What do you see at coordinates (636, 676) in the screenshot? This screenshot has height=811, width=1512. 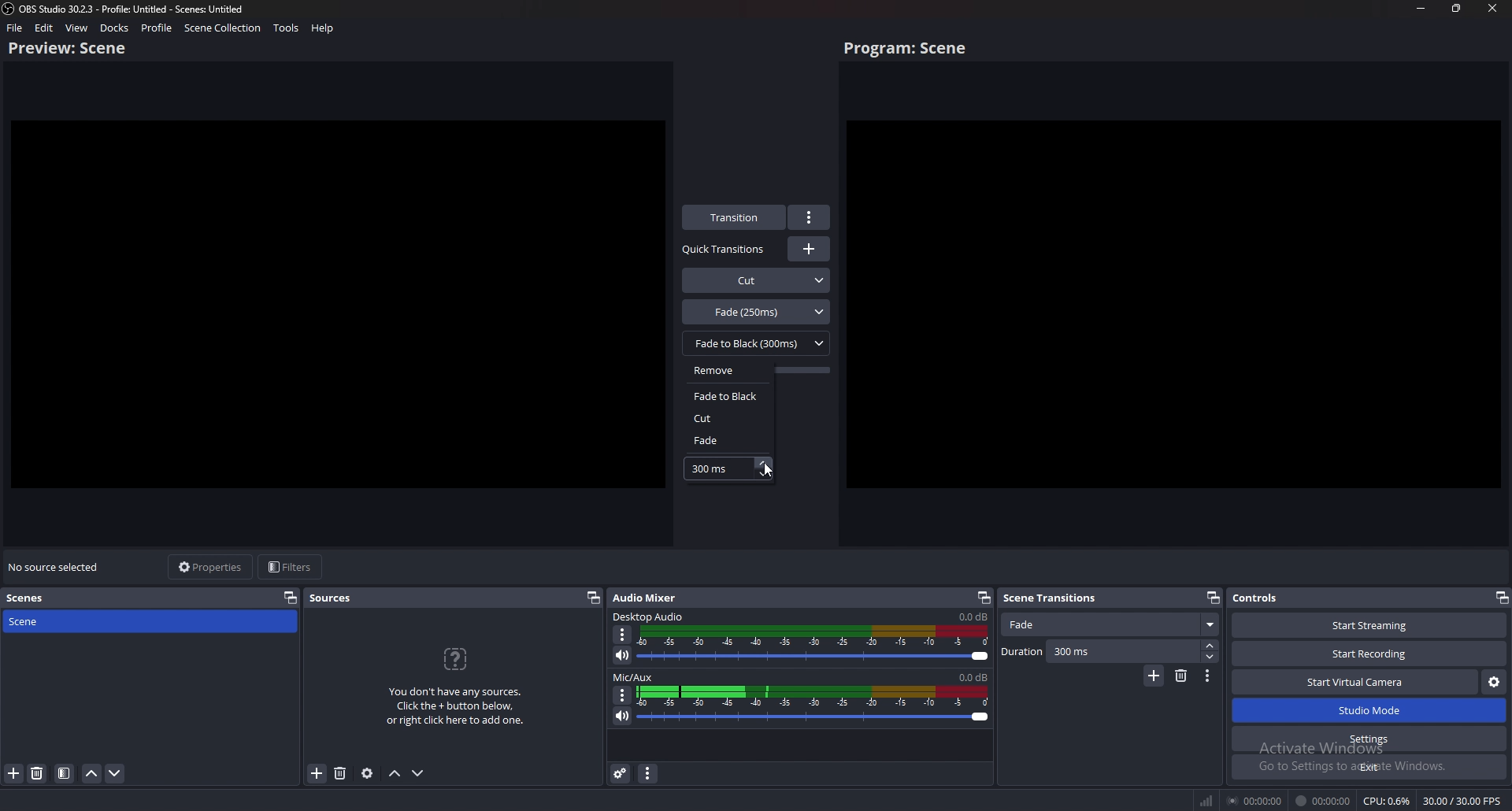 I see `mic/aux` at bounding box center [636, 676].